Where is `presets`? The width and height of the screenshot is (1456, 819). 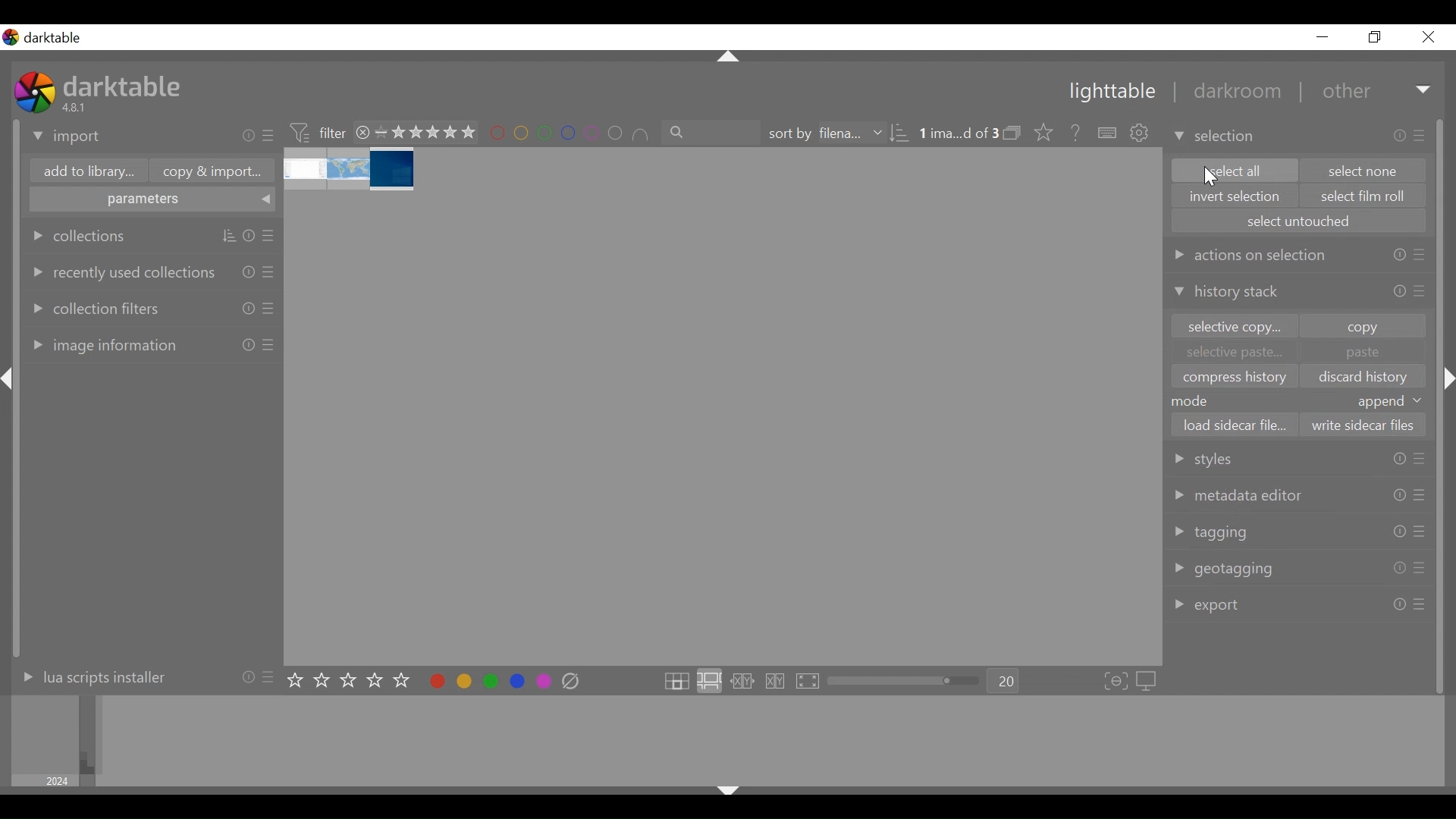 presets is located at coordinates (270, 308).